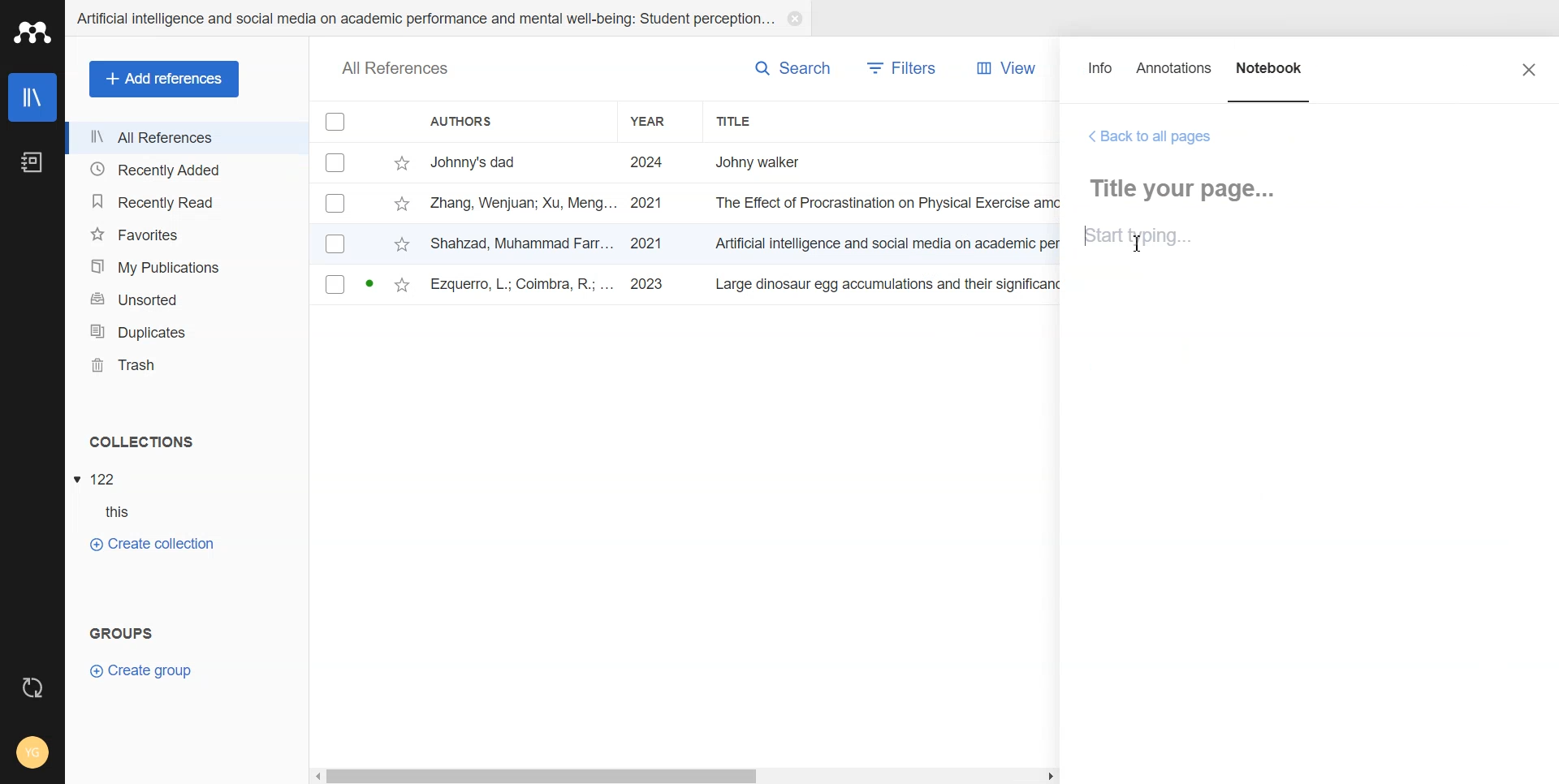 This screenshot has width=1559, height=784. Describe the element at coordinates (1141, 246) in the screenshot. I see `Text Cursor` at that location.